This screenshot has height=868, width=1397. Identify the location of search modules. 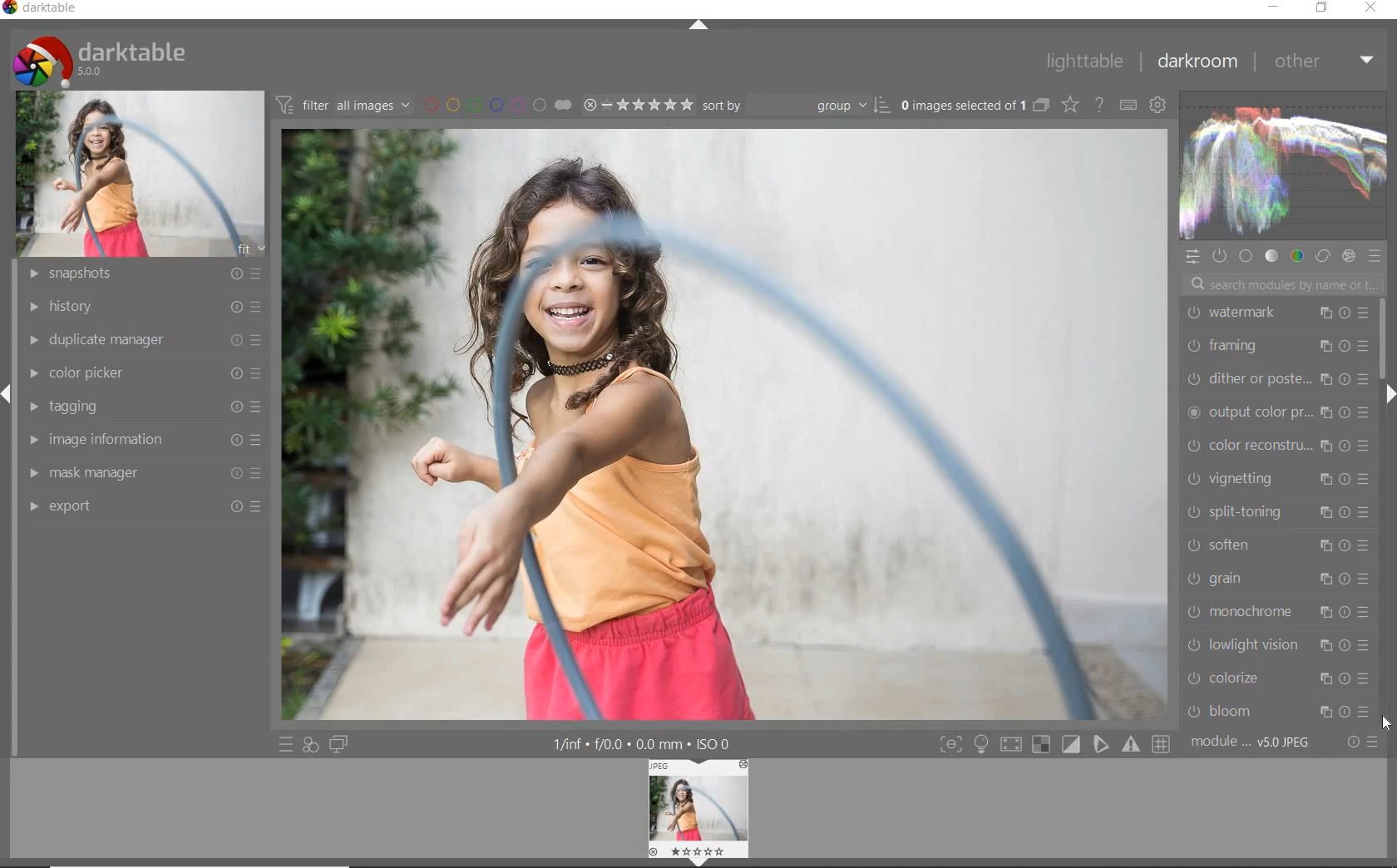
(1281, 286).